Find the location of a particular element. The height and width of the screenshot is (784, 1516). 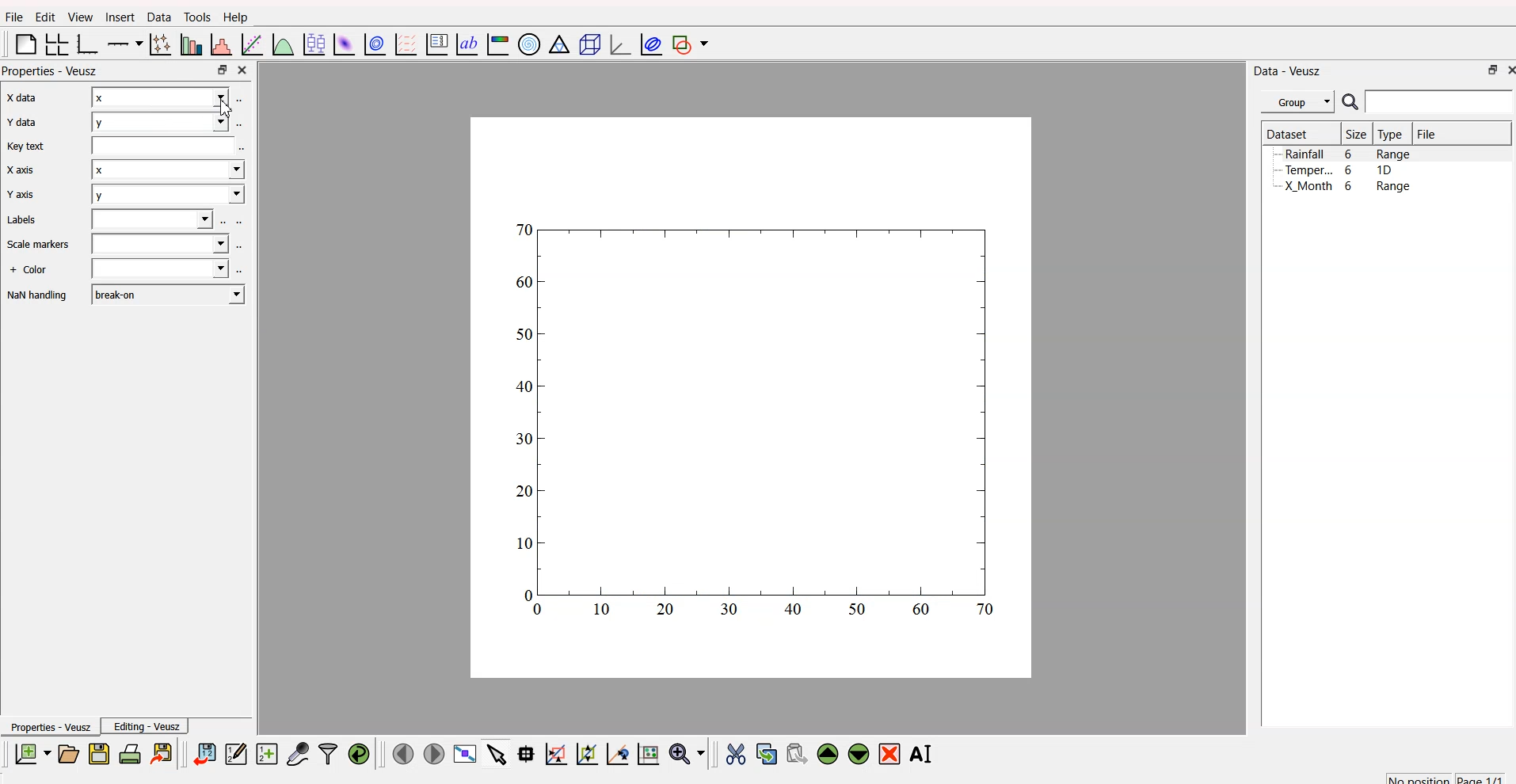

draw rectangle to zoom is located at coordinates (556, 753).